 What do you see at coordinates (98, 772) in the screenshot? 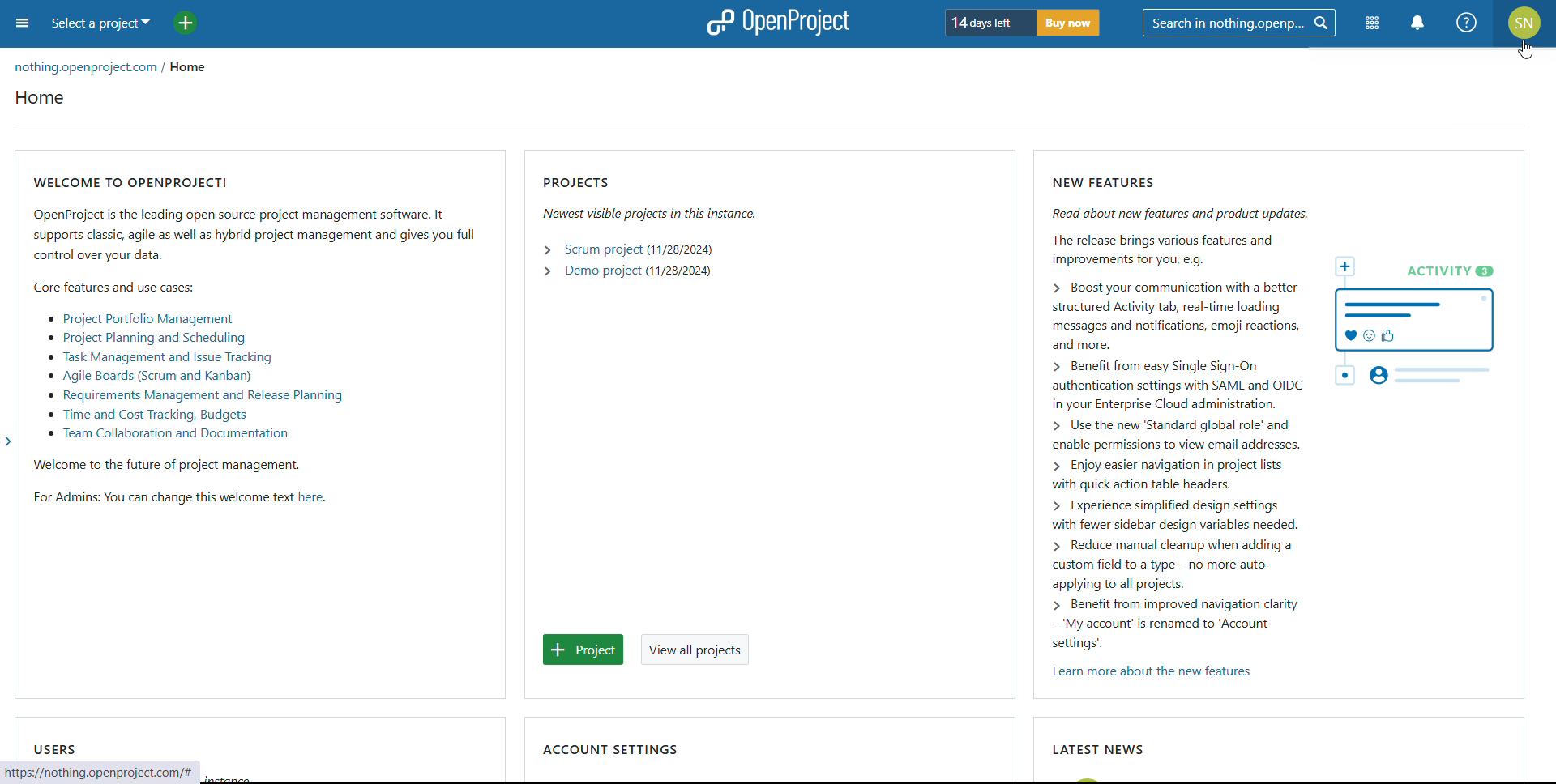
I see `https://nothing.openproject.com/#` at bounding box center [98, 772].